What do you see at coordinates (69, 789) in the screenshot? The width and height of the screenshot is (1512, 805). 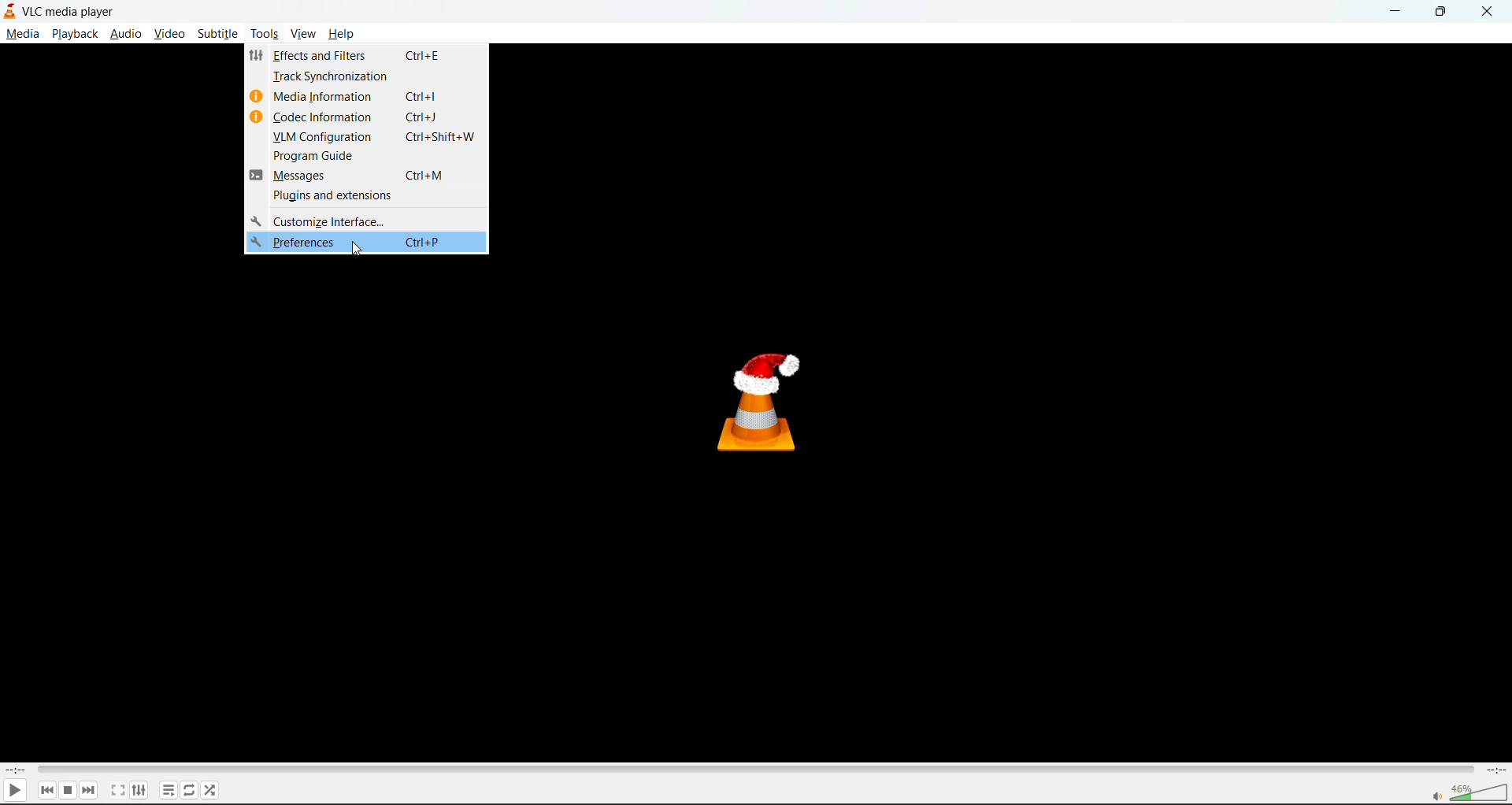 I see `stop` at bounding box center [69, 789].